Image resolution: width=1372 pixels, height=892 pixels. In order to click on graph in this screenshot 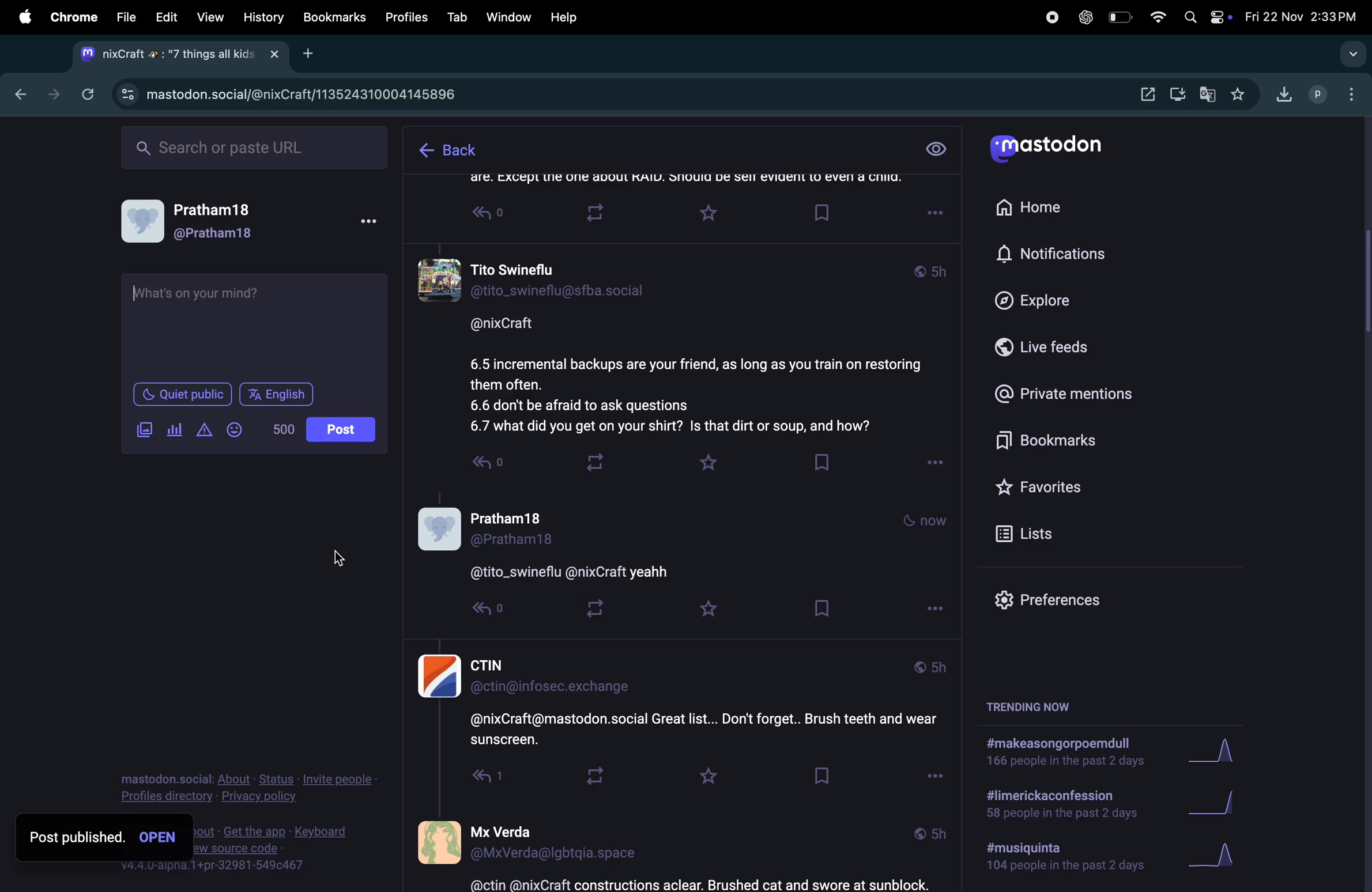, I will do `click(1224, 857)`.